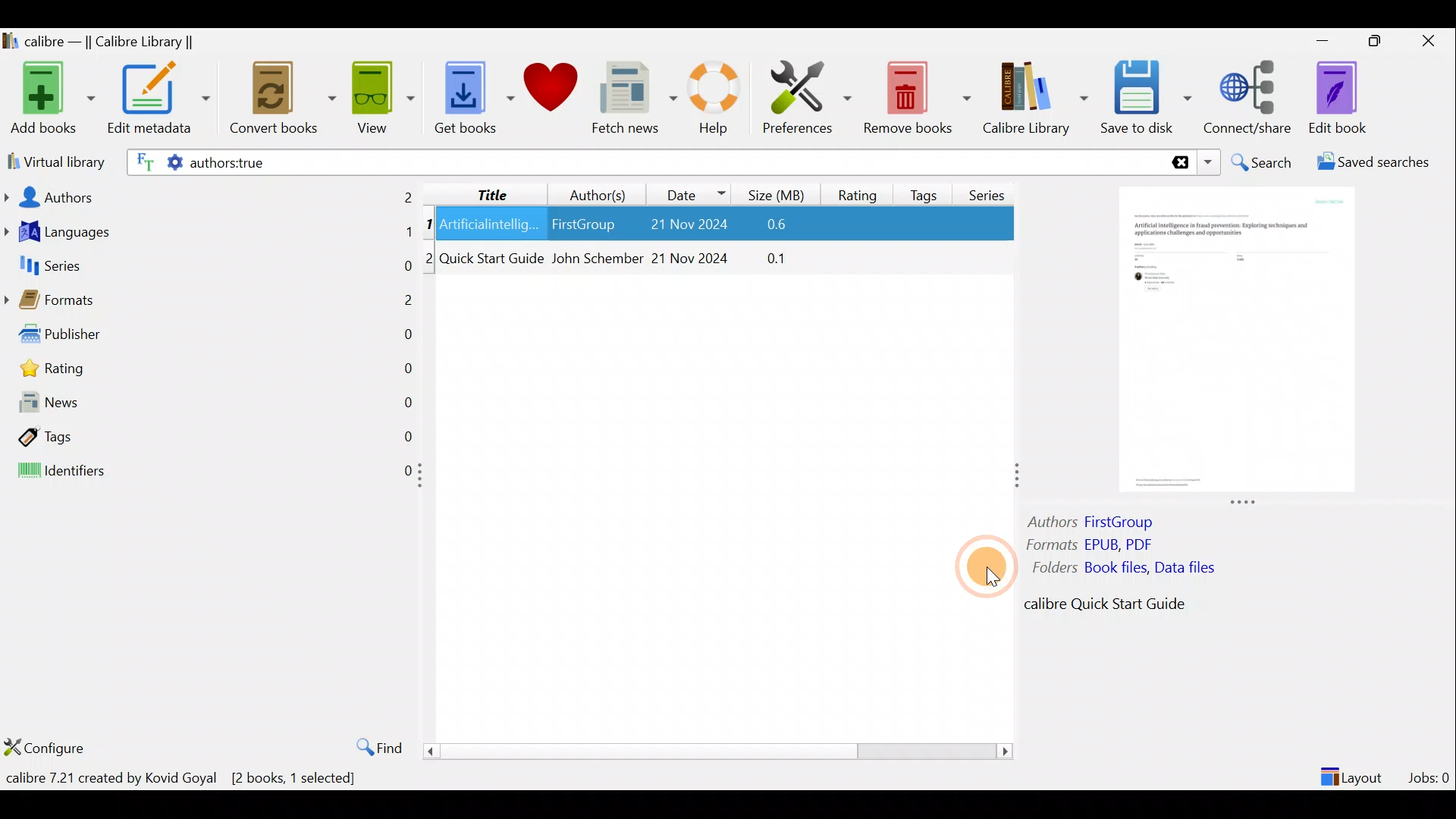  What do you see at coordinates (681, 226) in the screenshot?
I see `28 Nov 2024` at bounding box center [681, 226].